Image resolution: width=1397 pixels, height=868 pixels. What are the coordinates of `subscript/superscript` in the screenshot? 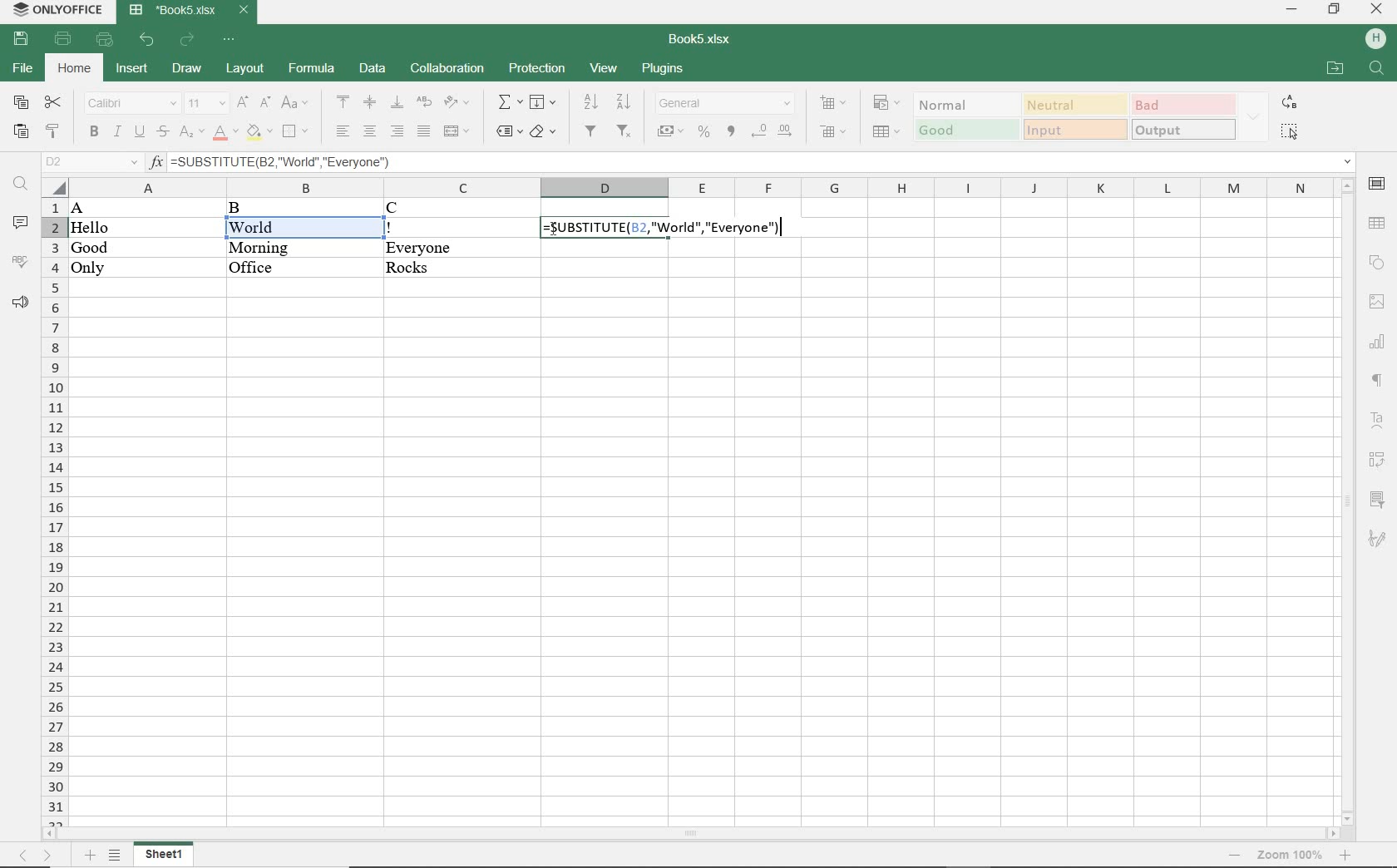 It's located at (190, 135).